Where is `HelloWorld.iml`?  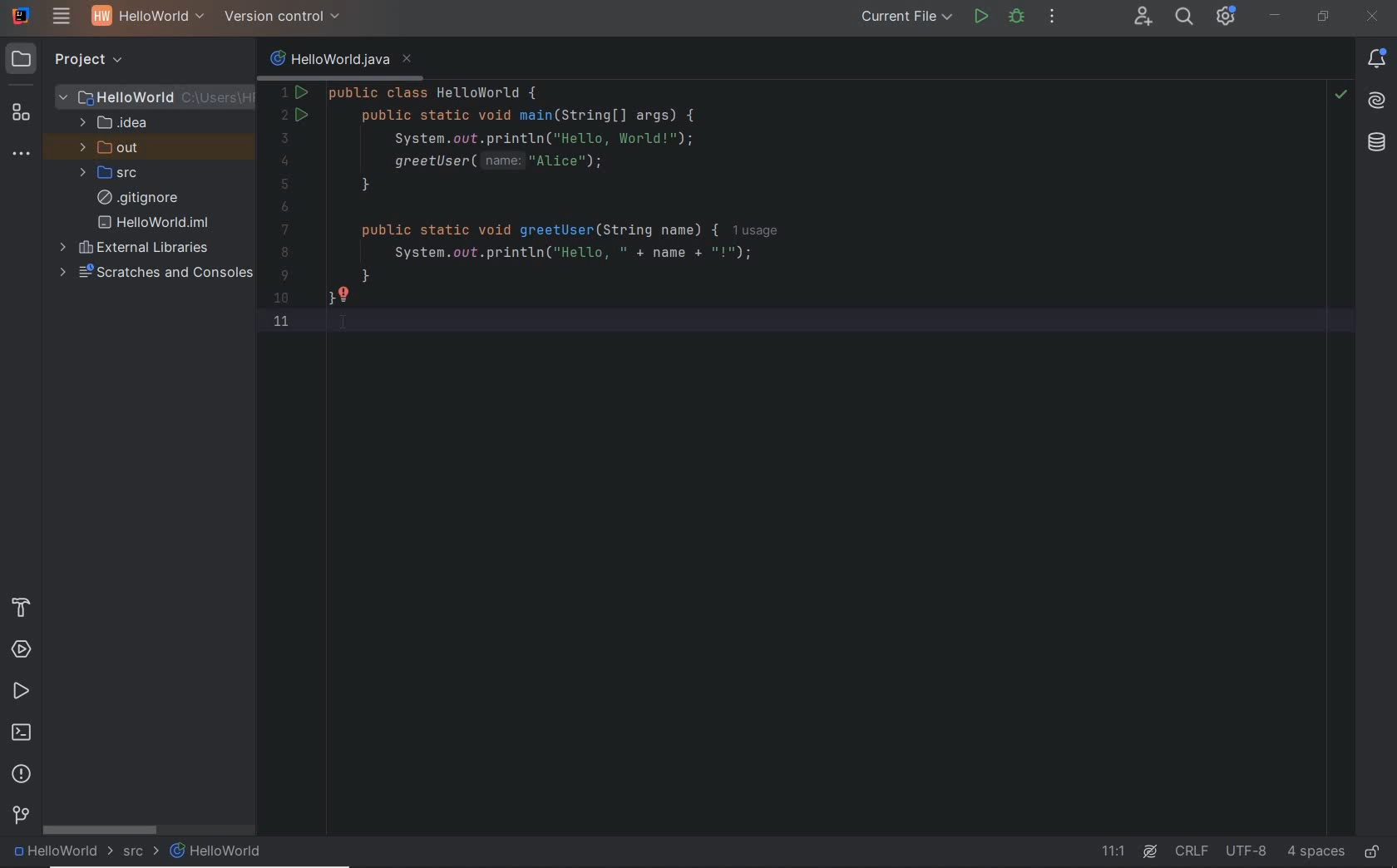
HelloWorld.iml is located at coordinates (155, 222).